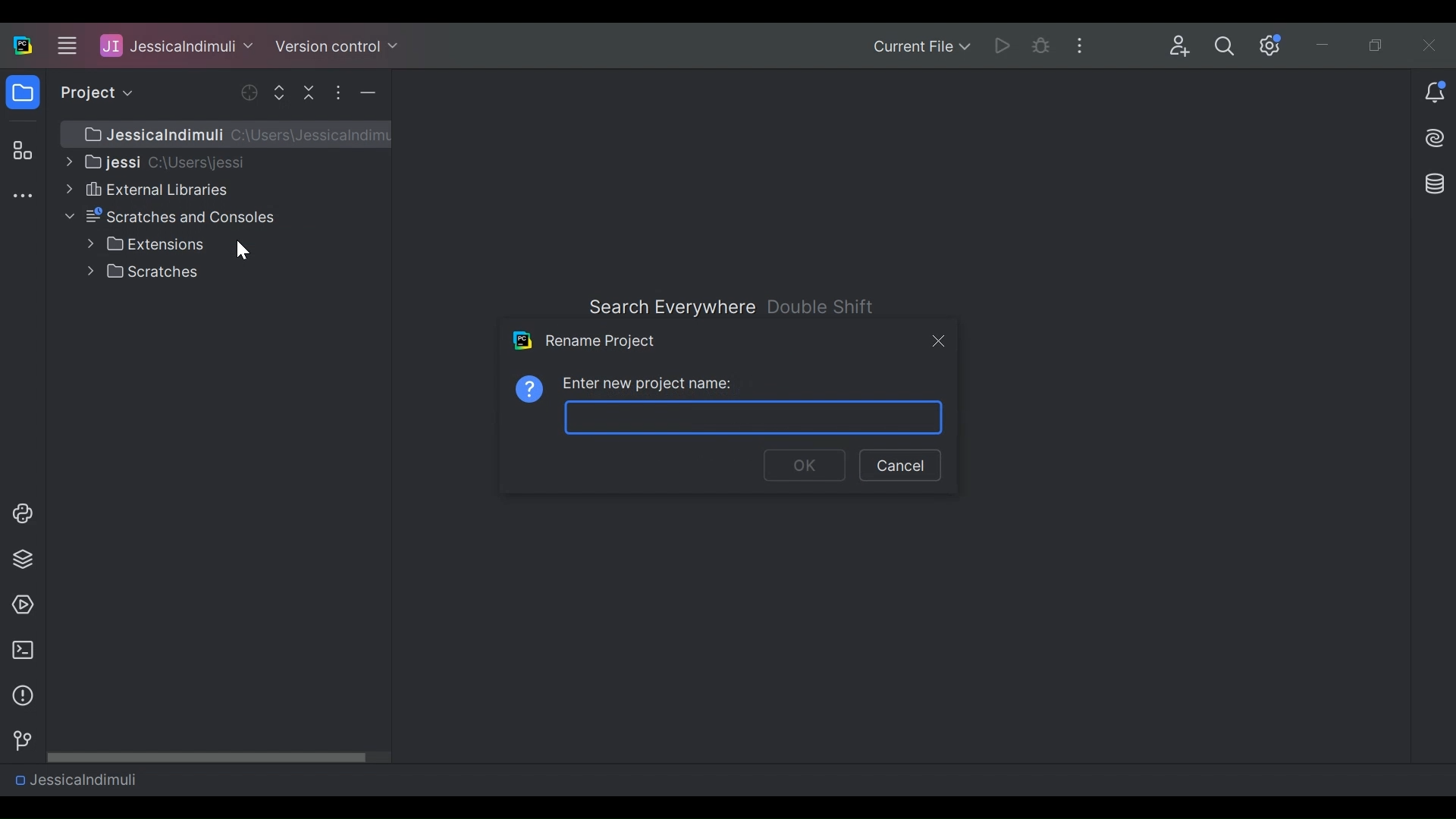  What do you see at coordinates (337, 93) in the screenshot?
I see `Options` at bounding box center [337, 93].